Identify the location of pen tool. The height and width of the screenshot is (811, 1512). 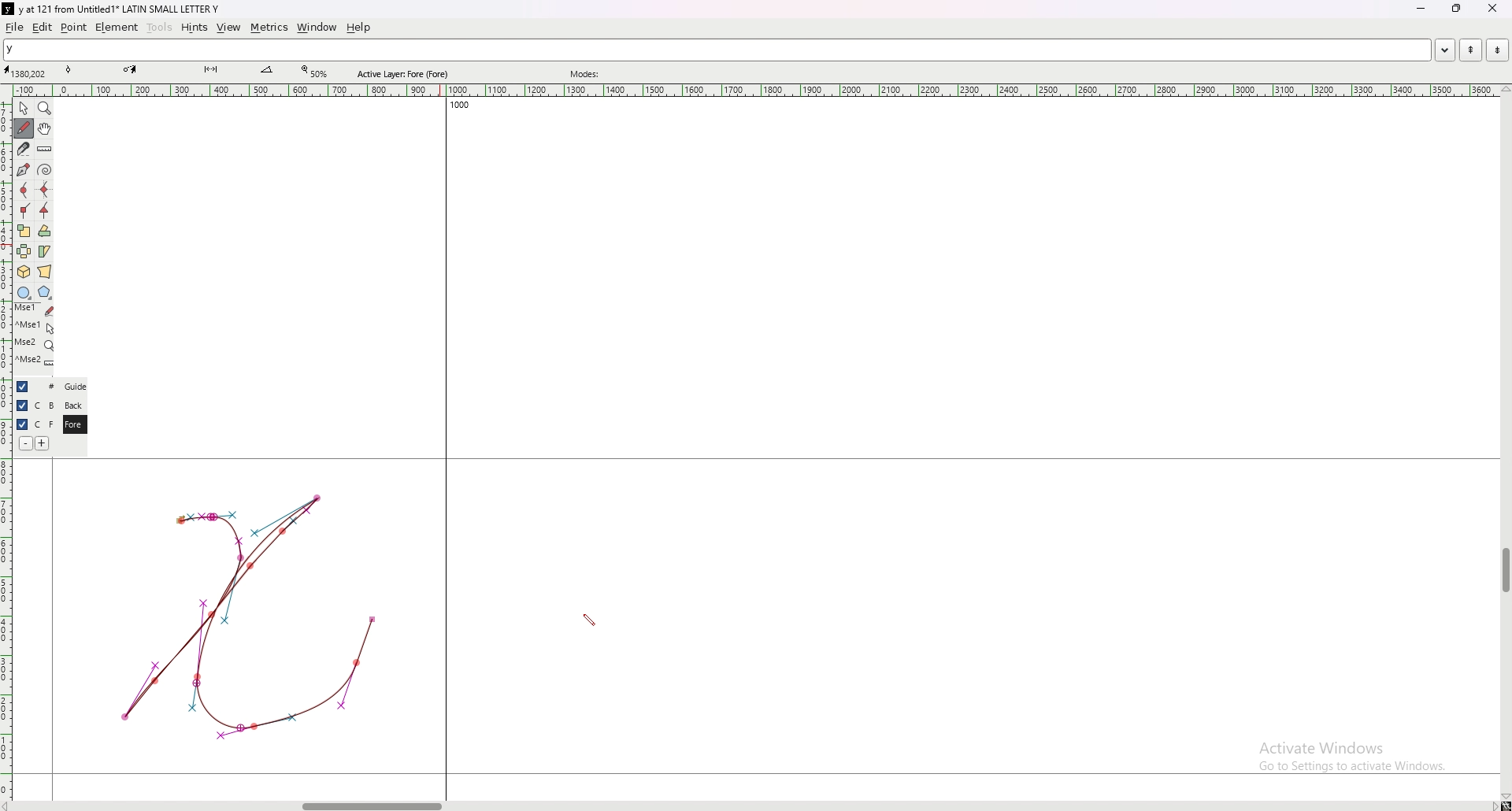
(130, 69).